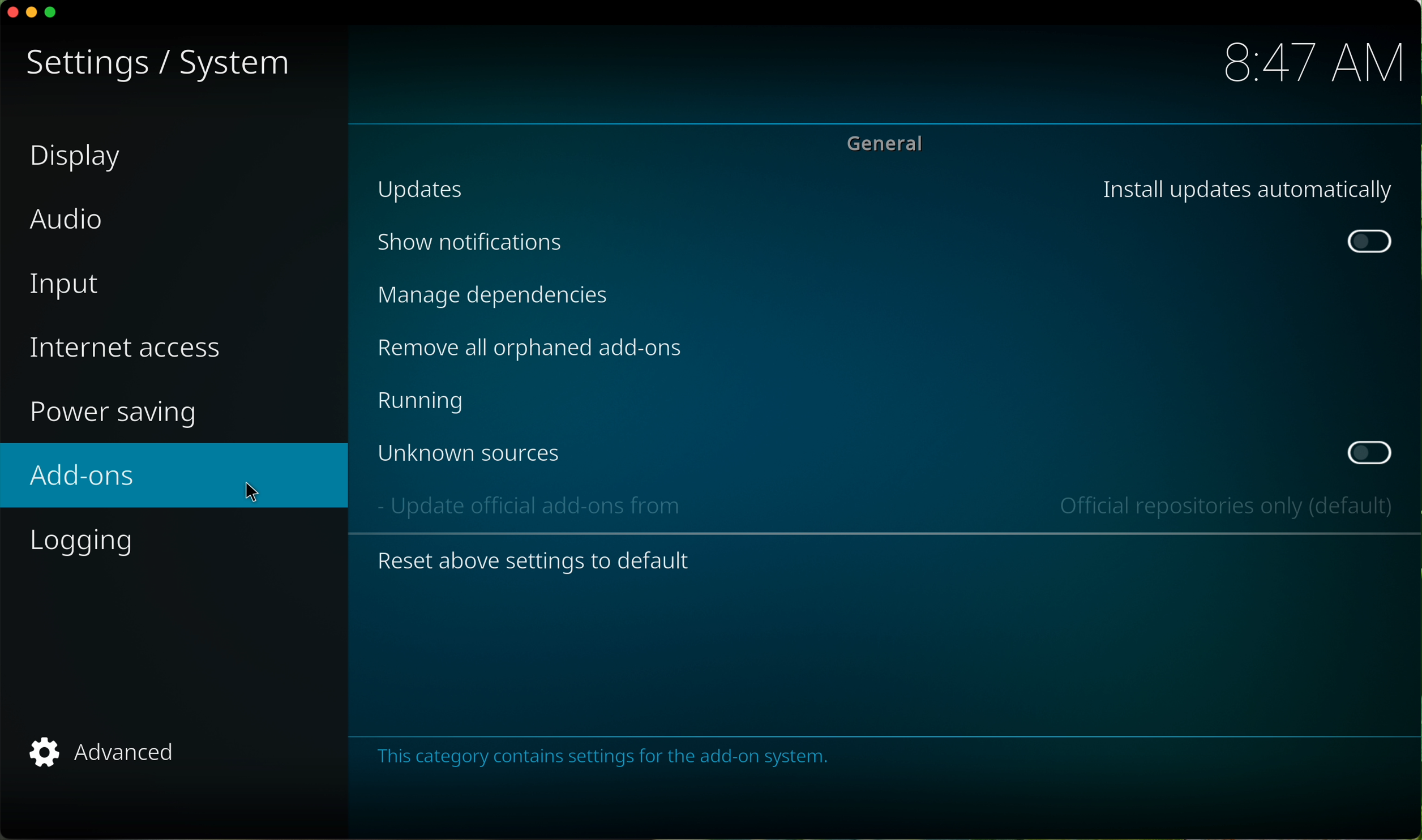 This screenshot has width=1422, height=840. Describe the element at coordinates (112, 752) in the screenshot. I see `advanced` at that location.